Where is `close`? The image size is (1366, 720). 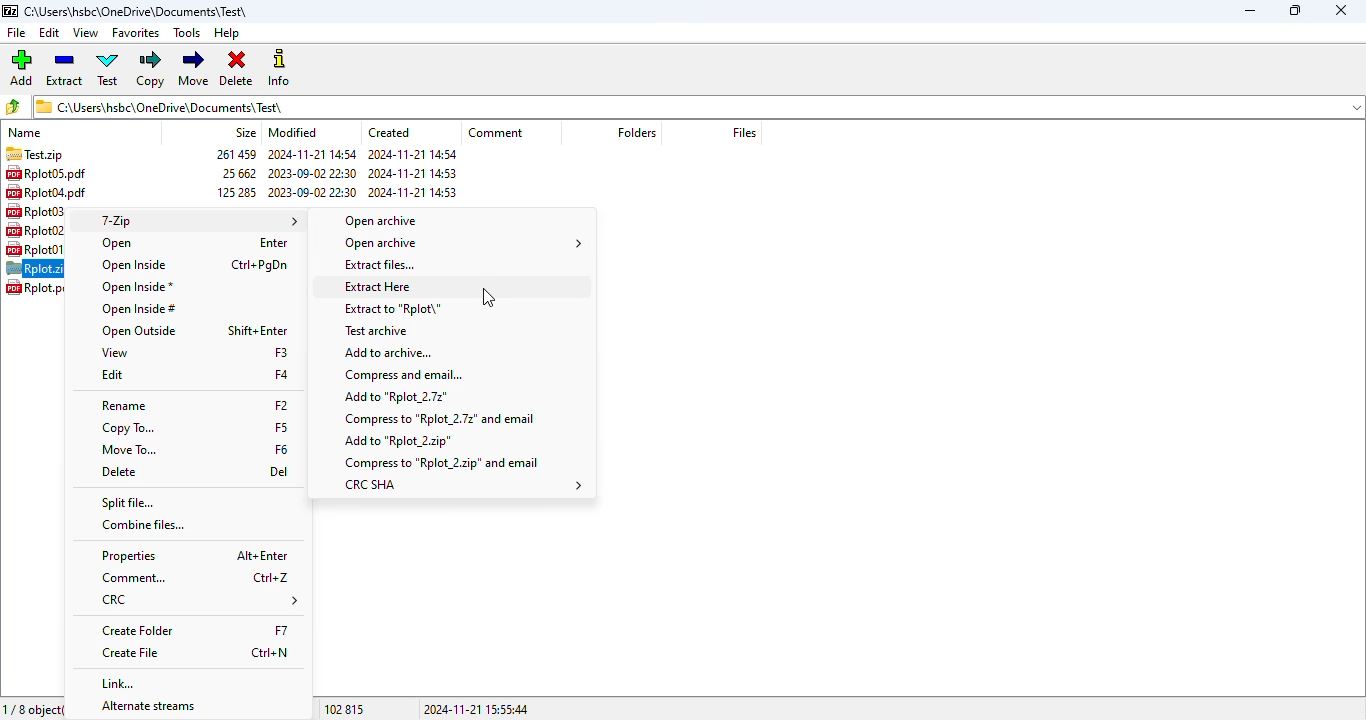
close is located at coordinates (1338, 9).